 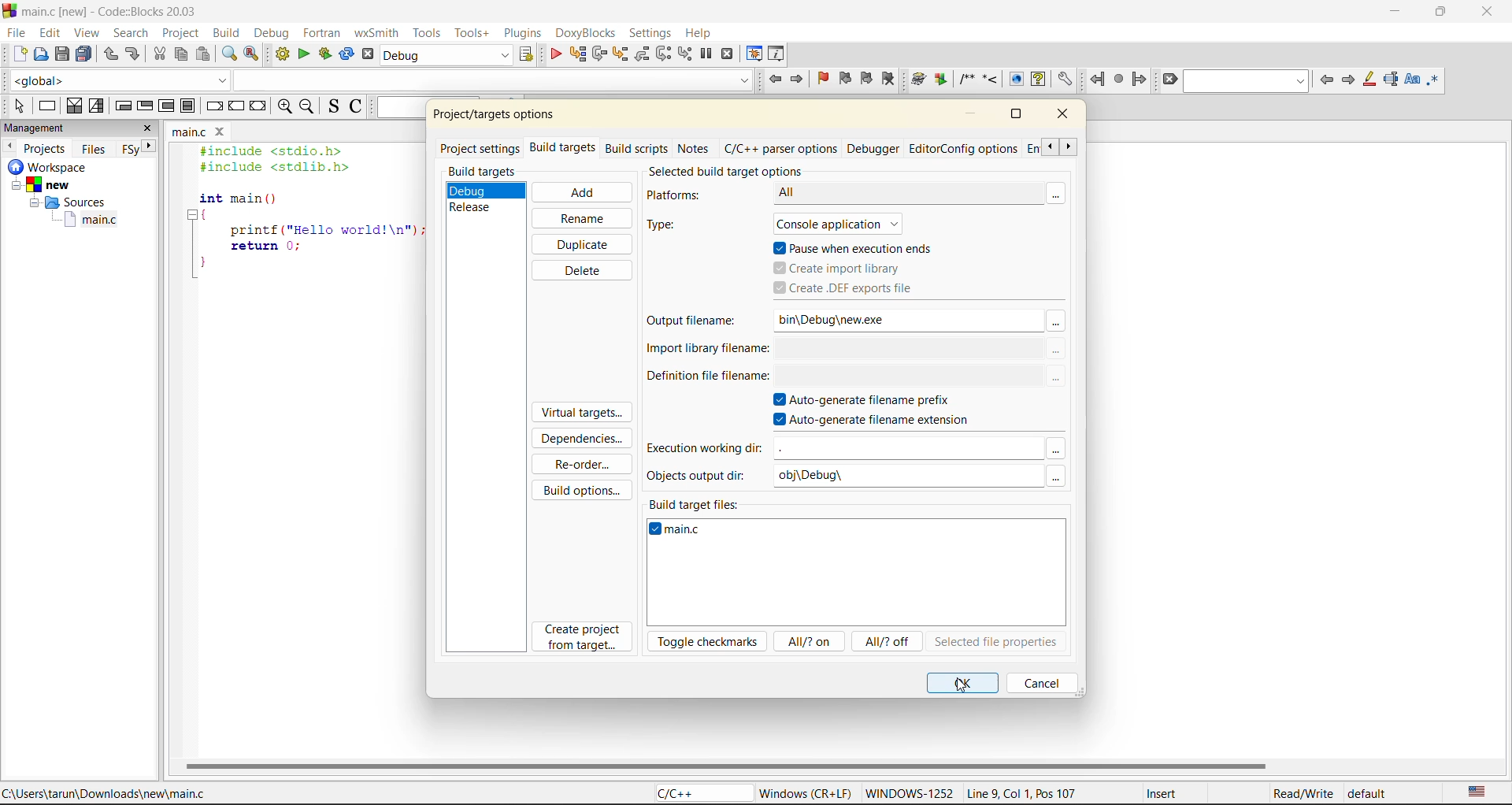 What do you see at coordinates (1016, 79) in the screenshot?
I see `View generated HTML documentation` at bounding box center [1016, 79].